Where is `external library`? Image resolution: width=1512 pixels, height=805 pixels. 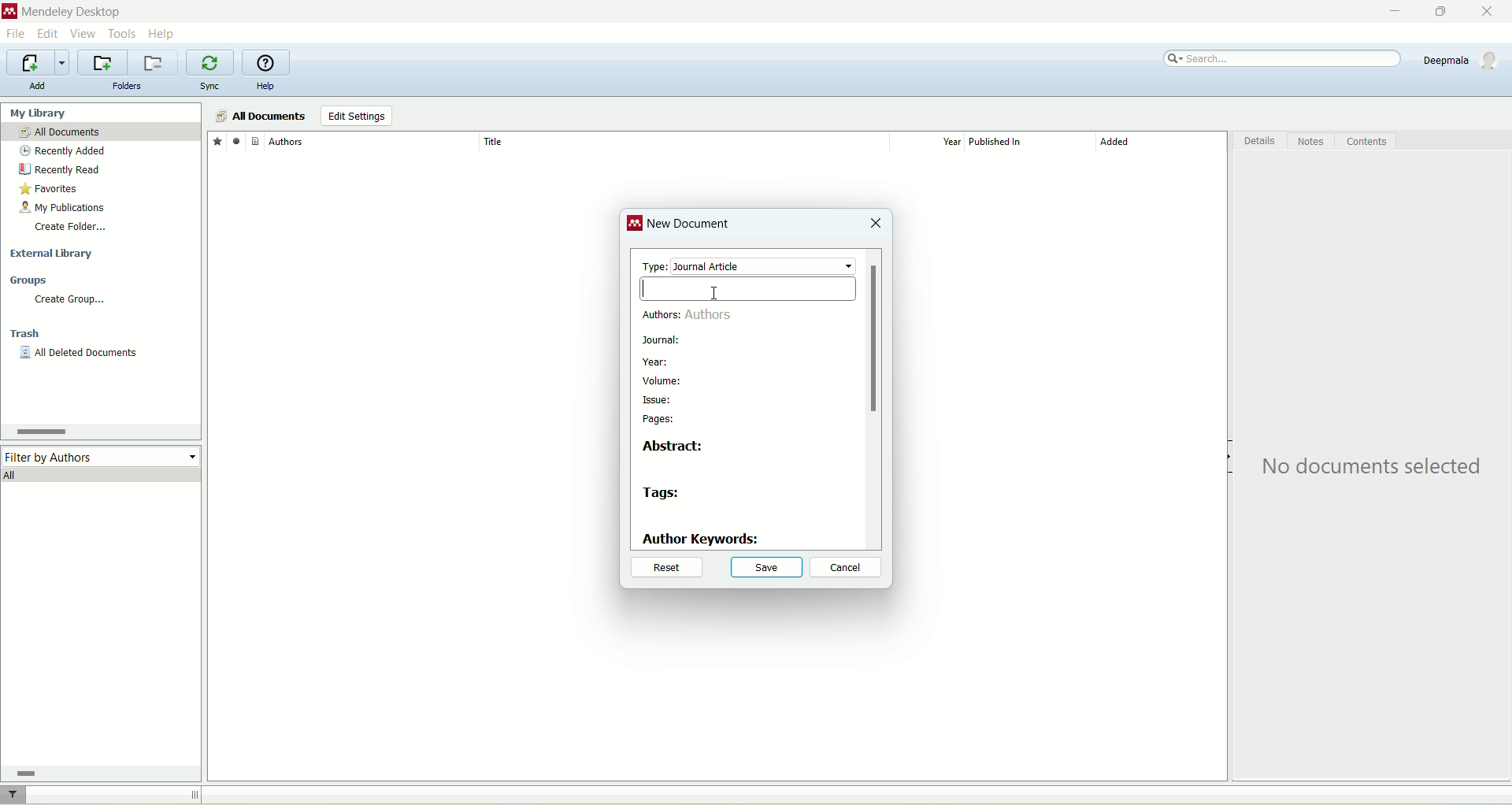
external library is located at coordinates (54, 254).